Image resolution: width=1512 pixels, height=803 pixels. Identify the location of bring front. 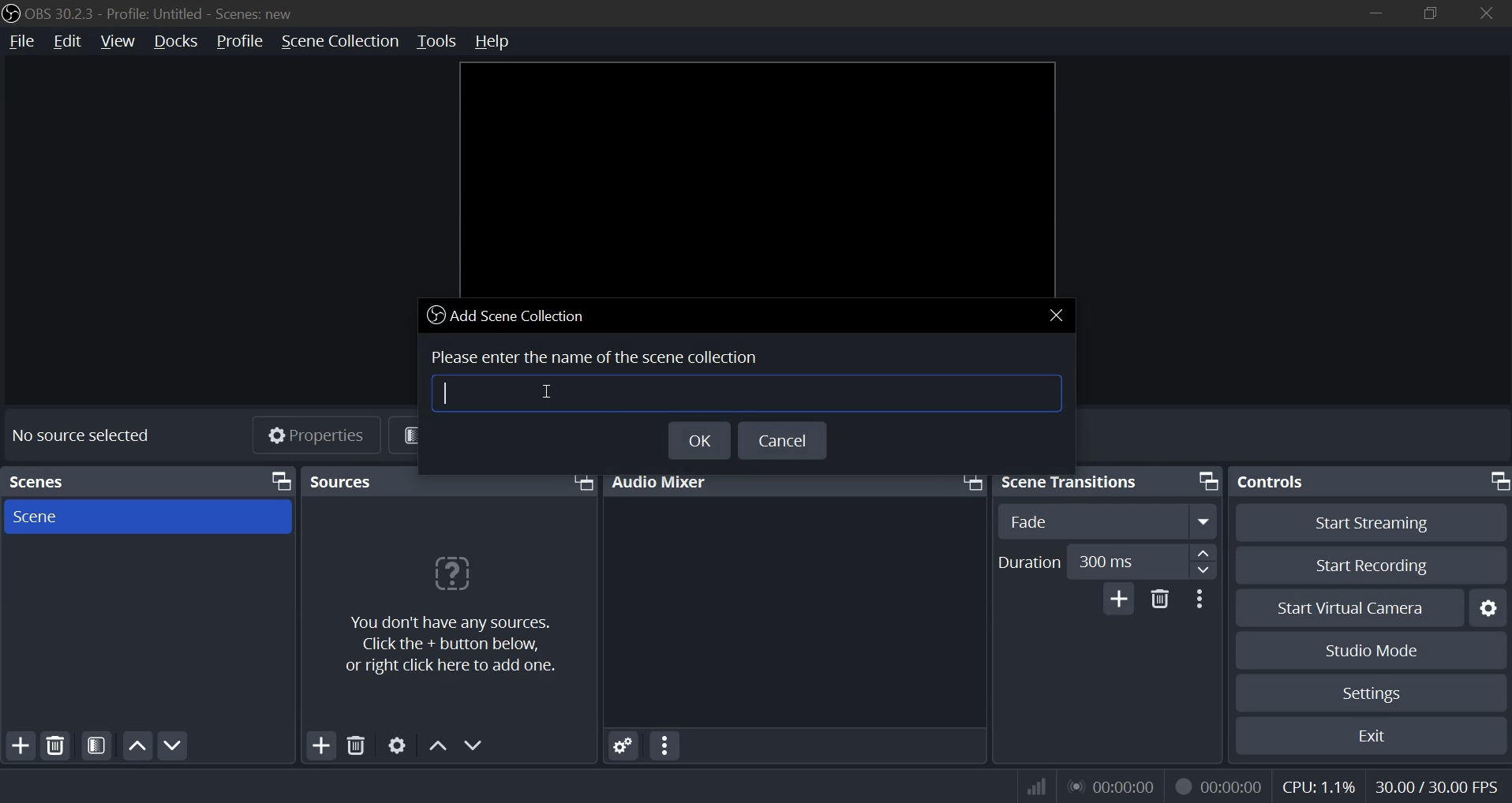
(582, 483).